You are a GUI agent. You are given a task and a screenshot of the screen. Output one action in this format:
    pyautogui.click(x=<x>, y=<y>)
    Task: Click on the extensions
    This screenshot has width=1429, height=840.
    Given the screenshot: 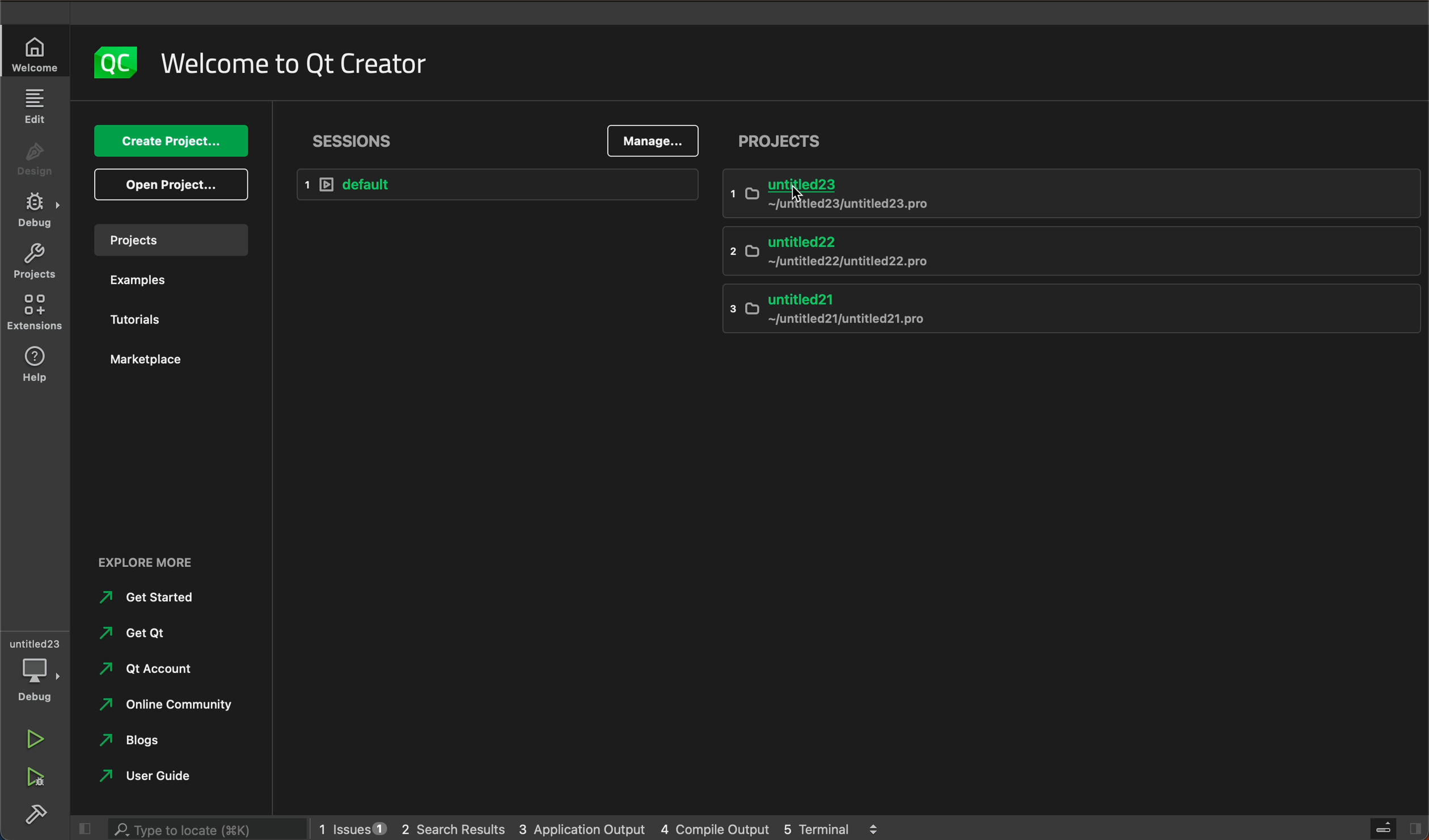 What is the action you would take?
    pyautogui.click(x=34, y=317)
    